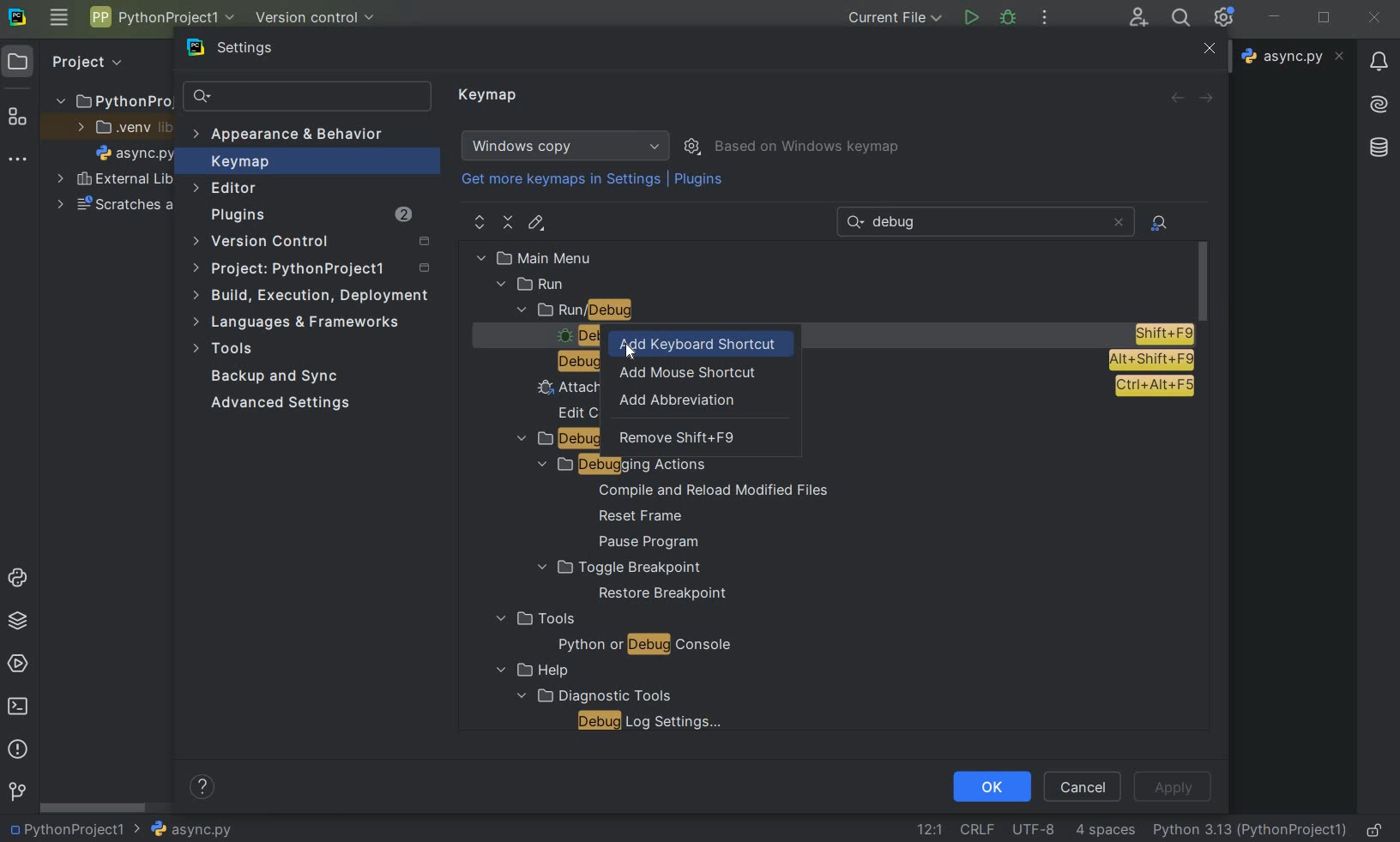 This screenshot has height=842, width=1400. Describe the element at coordinates (680, 402) in the screenshot. I see `add abbreviation` at that location.